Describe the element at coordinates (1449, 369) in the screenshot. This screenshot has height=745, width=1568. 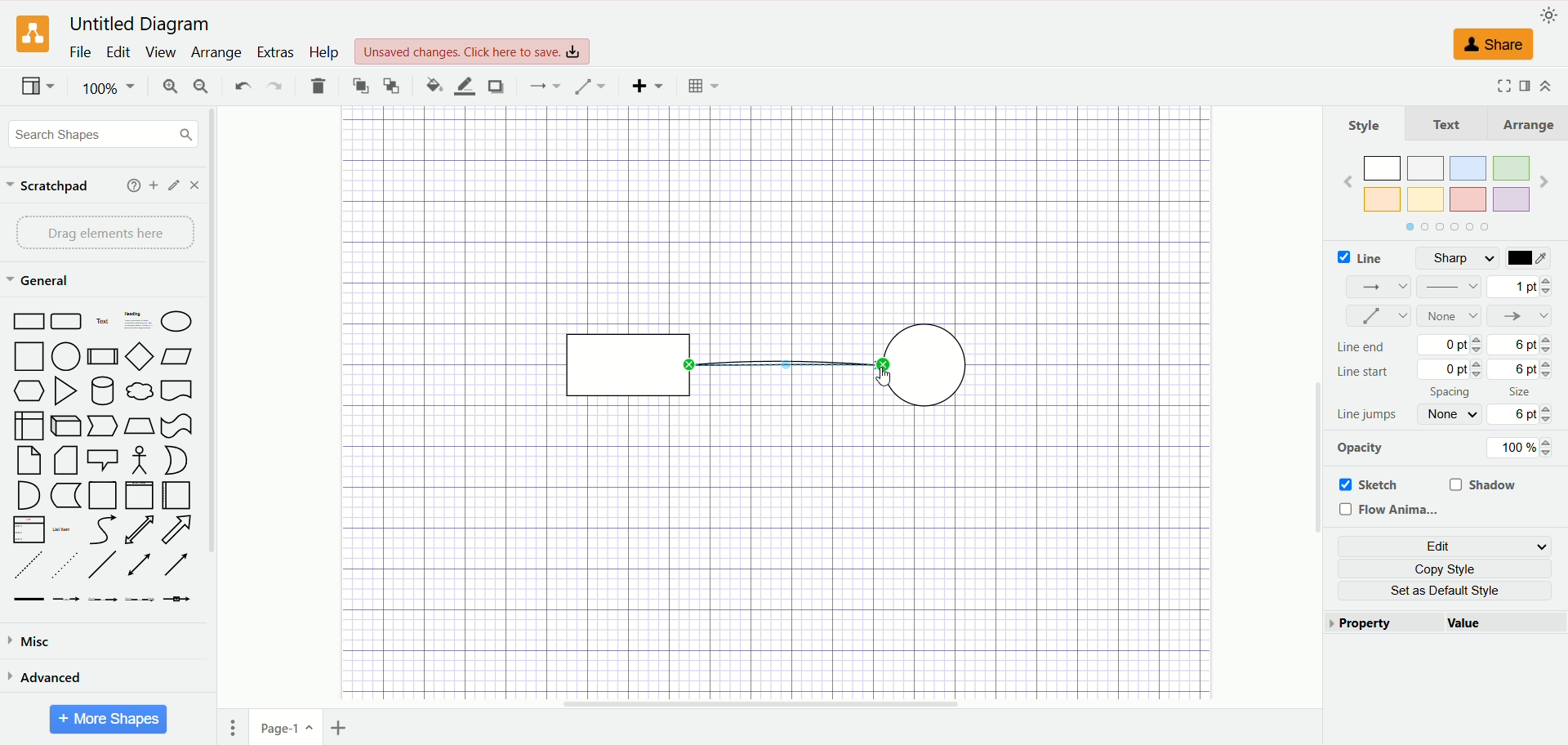
I see `0 pt` at that location.